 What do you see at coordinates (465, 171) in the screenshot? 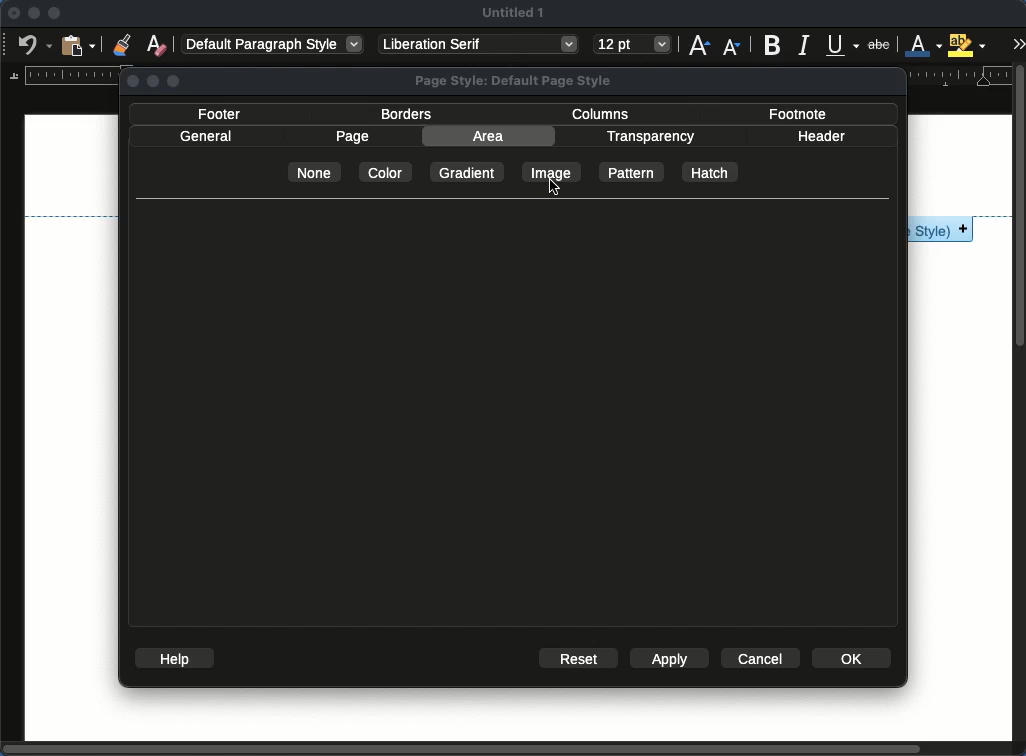
I see `gradient` at bounding box center [465, 171].